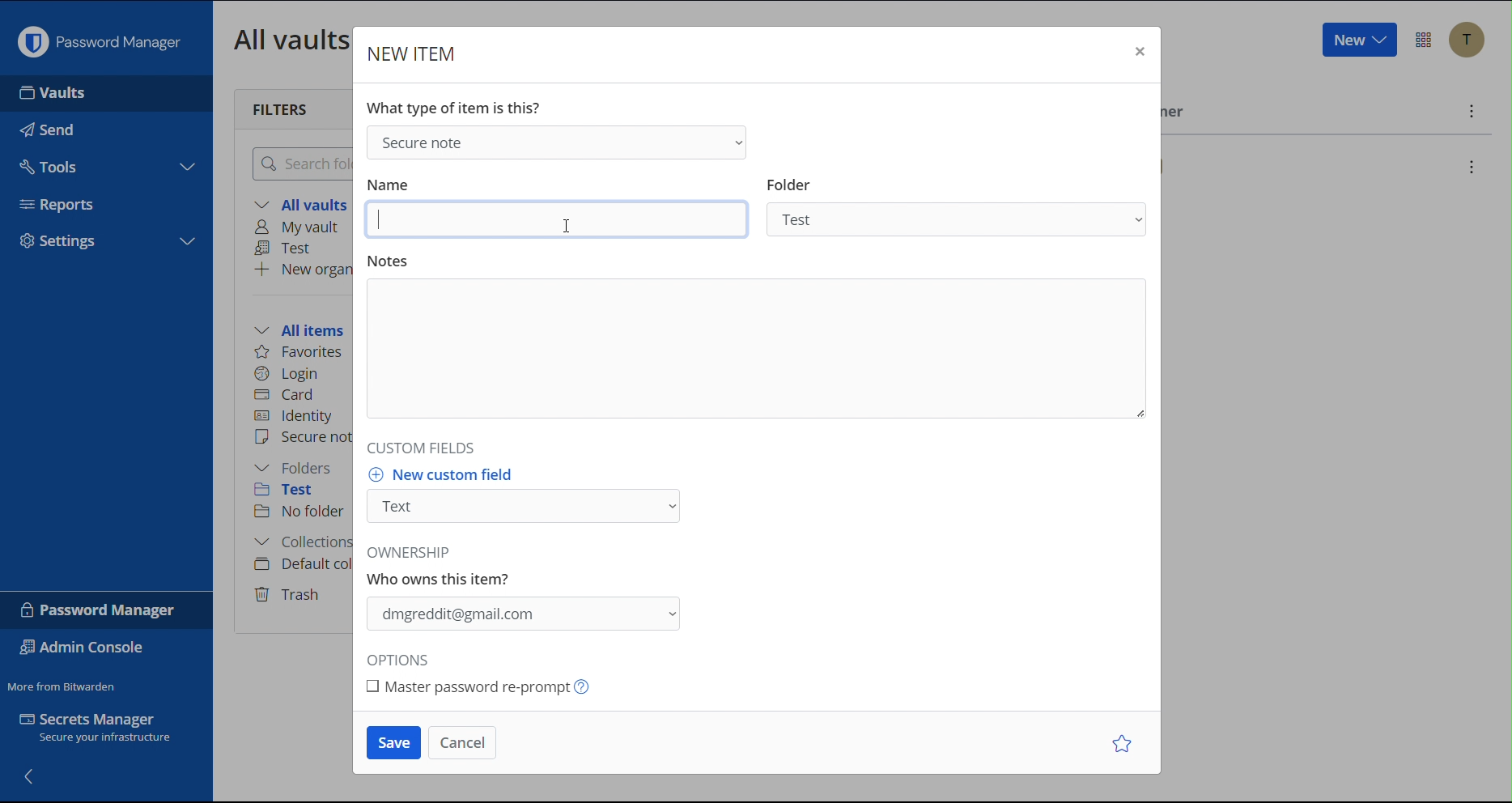 The width and height of the screenshot is (1512, 803). I want to click on Default collection, so click(300, 564).